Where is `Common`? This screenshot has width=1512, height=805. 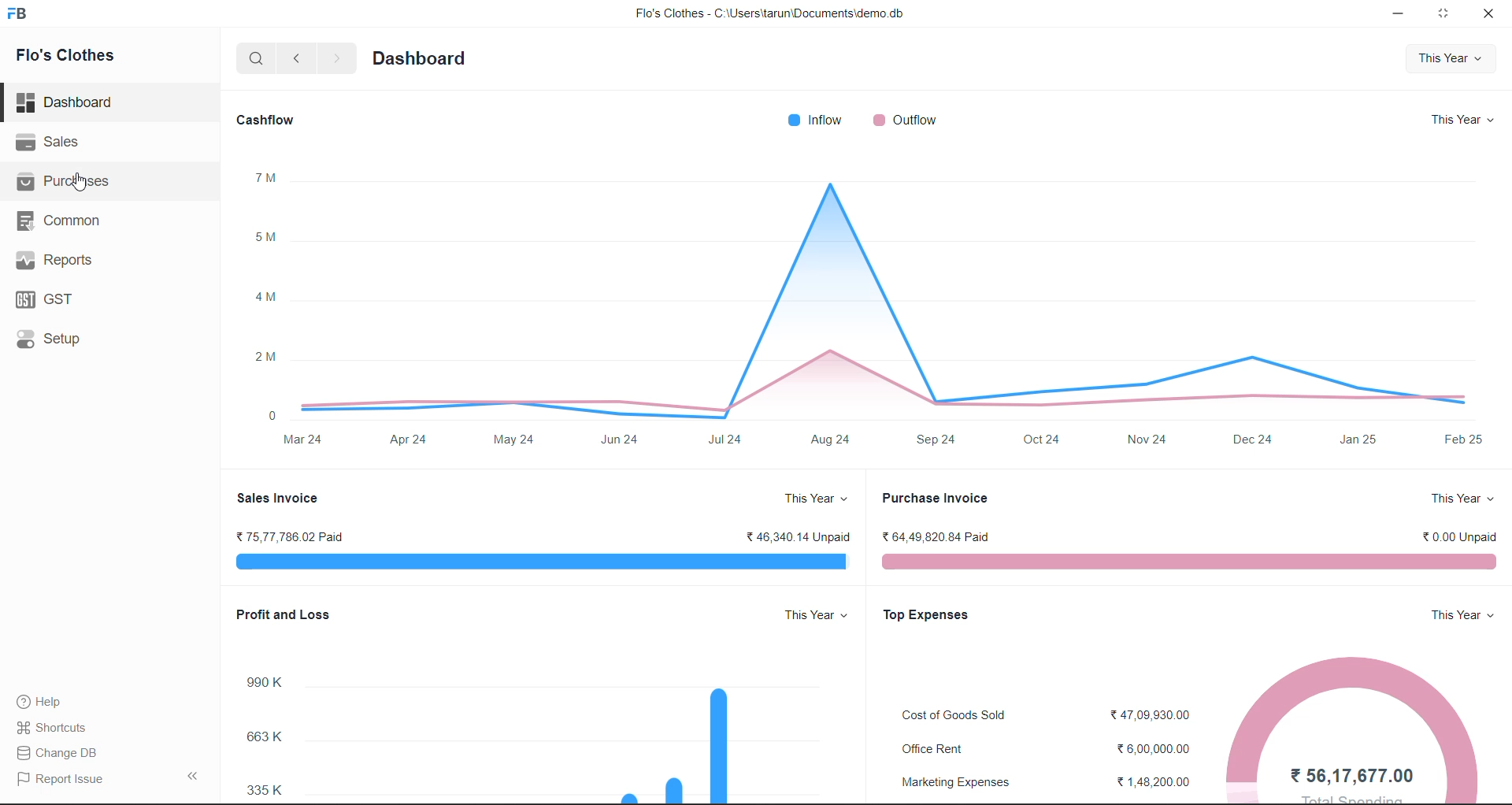
Common is located at coordinates (61, 221).